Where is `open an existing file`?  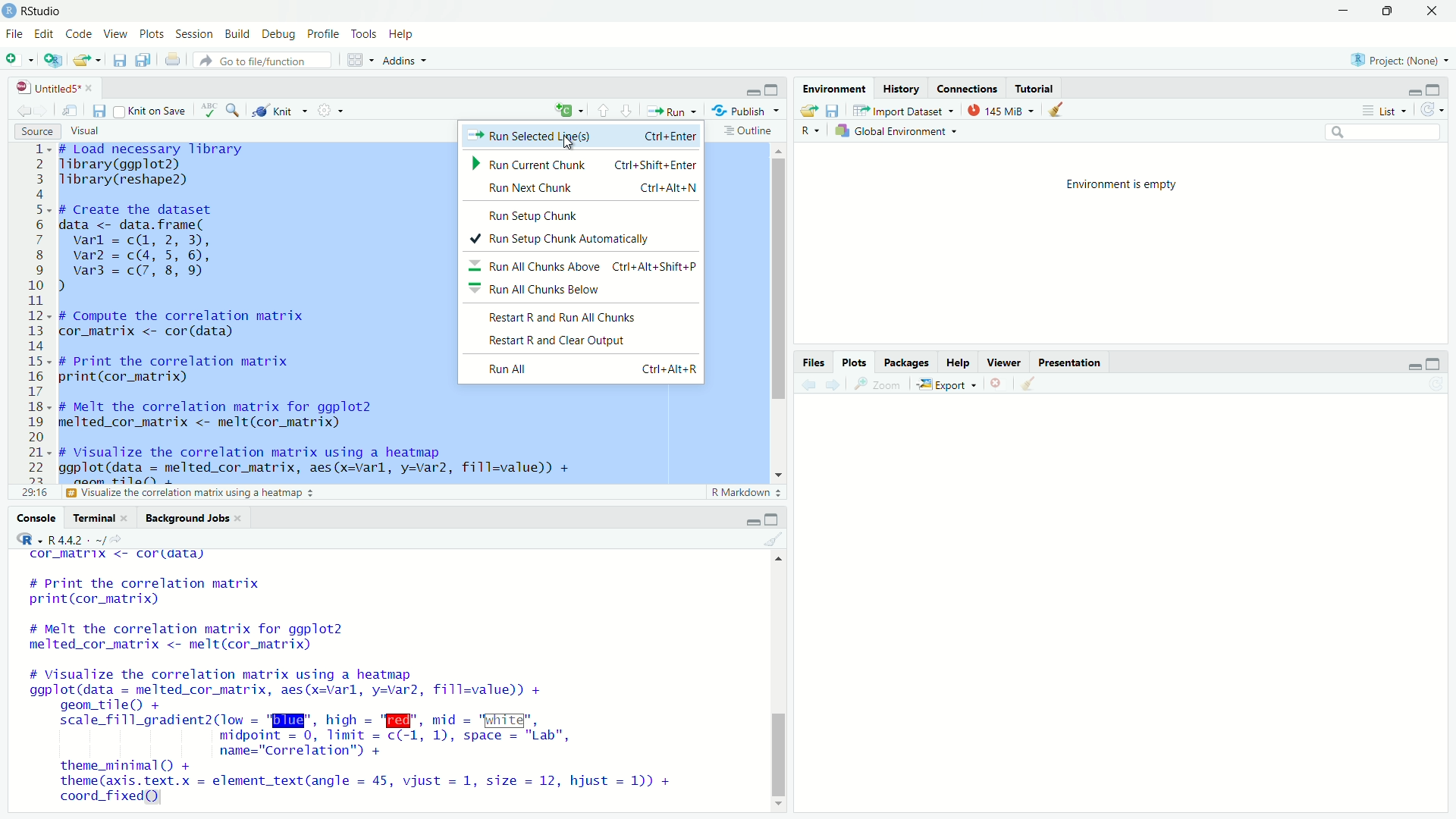 open an existing file is located at coordinates (86, 60).